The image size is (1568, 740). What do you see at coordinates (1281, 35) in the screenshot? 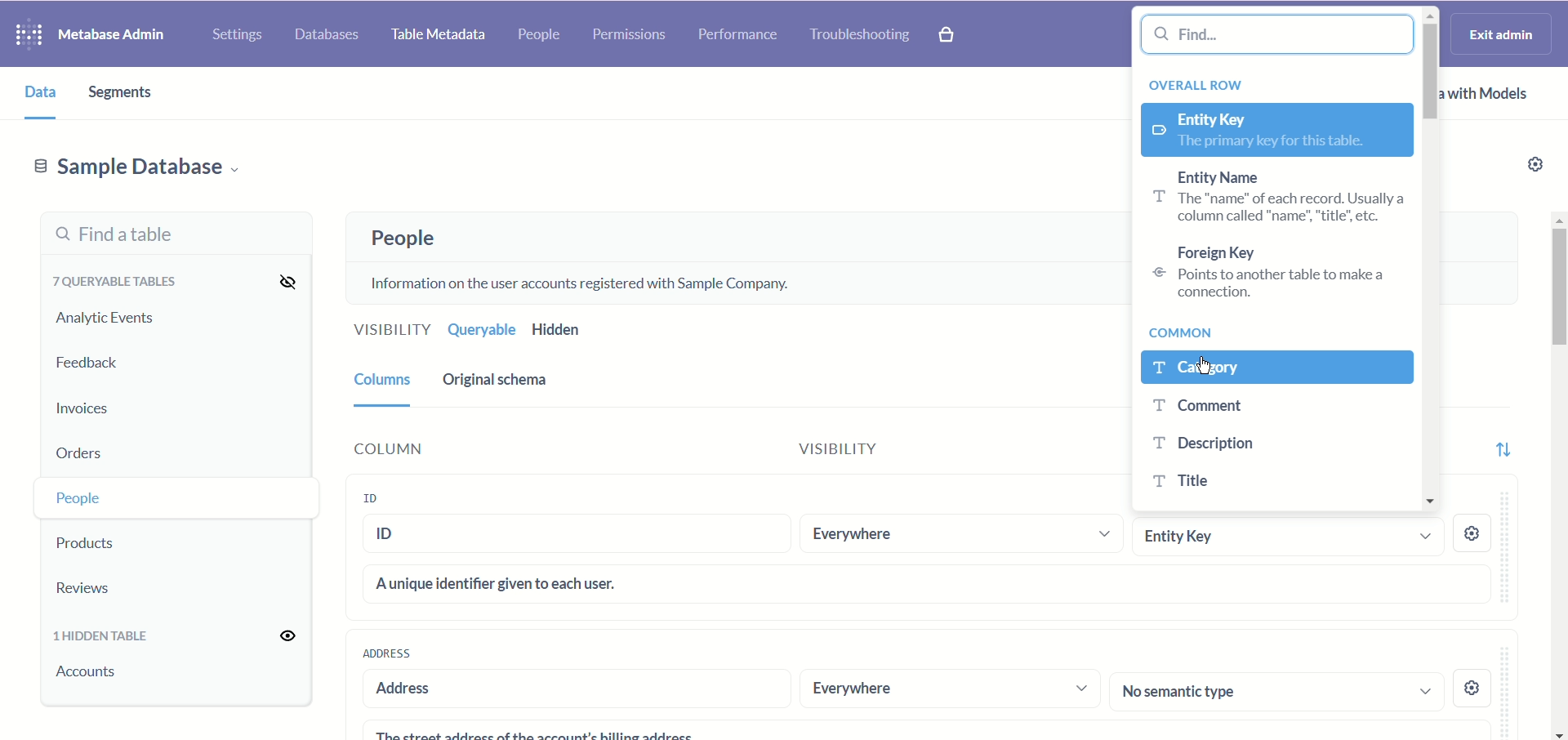
I see `find` at bounding box center [1281, 35].